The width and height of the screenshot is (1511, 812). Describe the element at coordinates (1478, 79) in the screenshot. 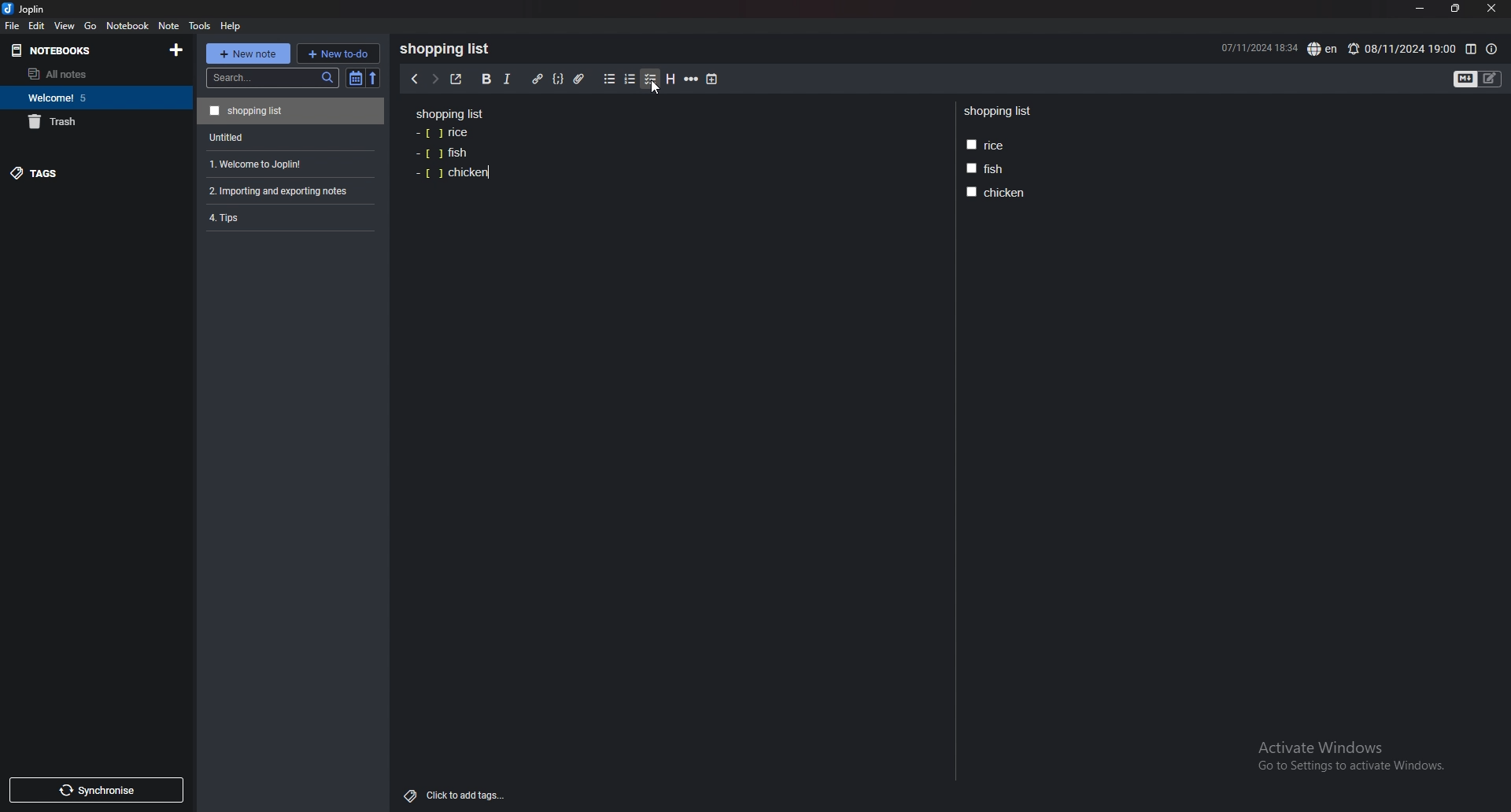

I see `toggle editors` at that location.